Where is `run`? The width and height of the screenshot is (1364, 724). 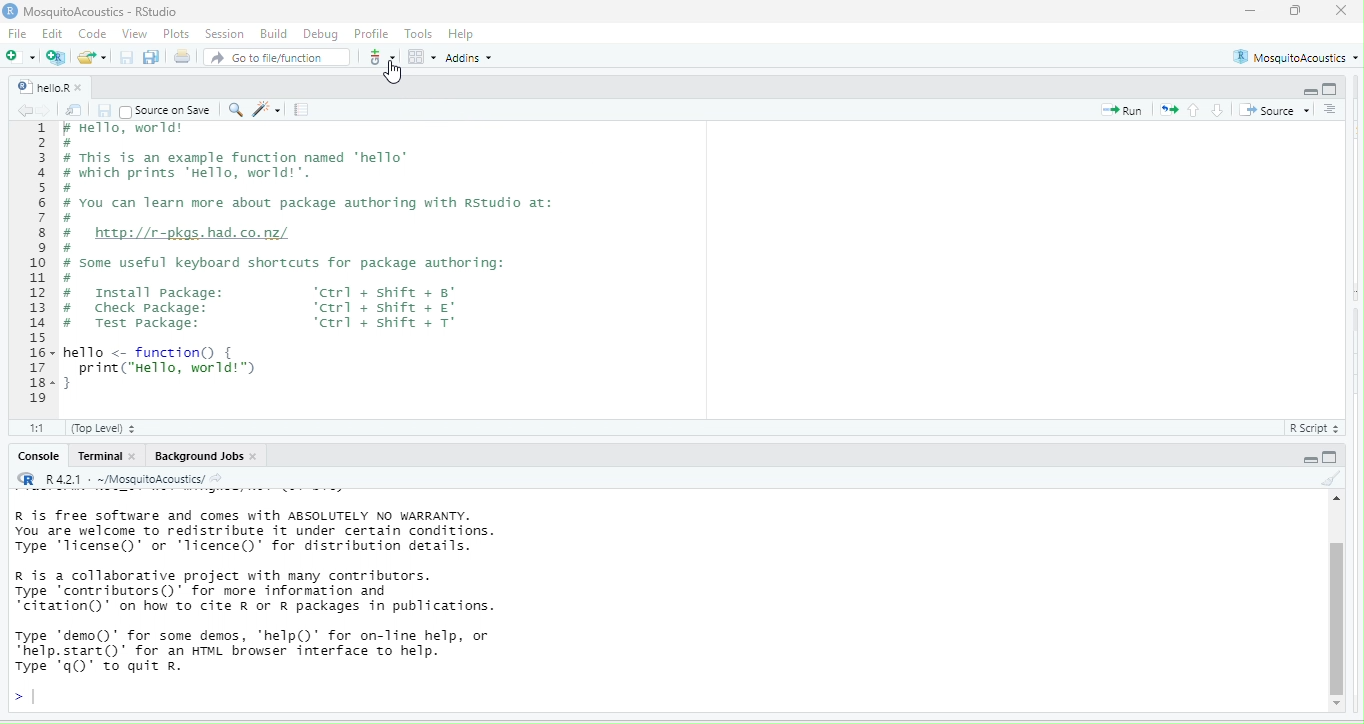 run is located at coordinates (1125, 109).